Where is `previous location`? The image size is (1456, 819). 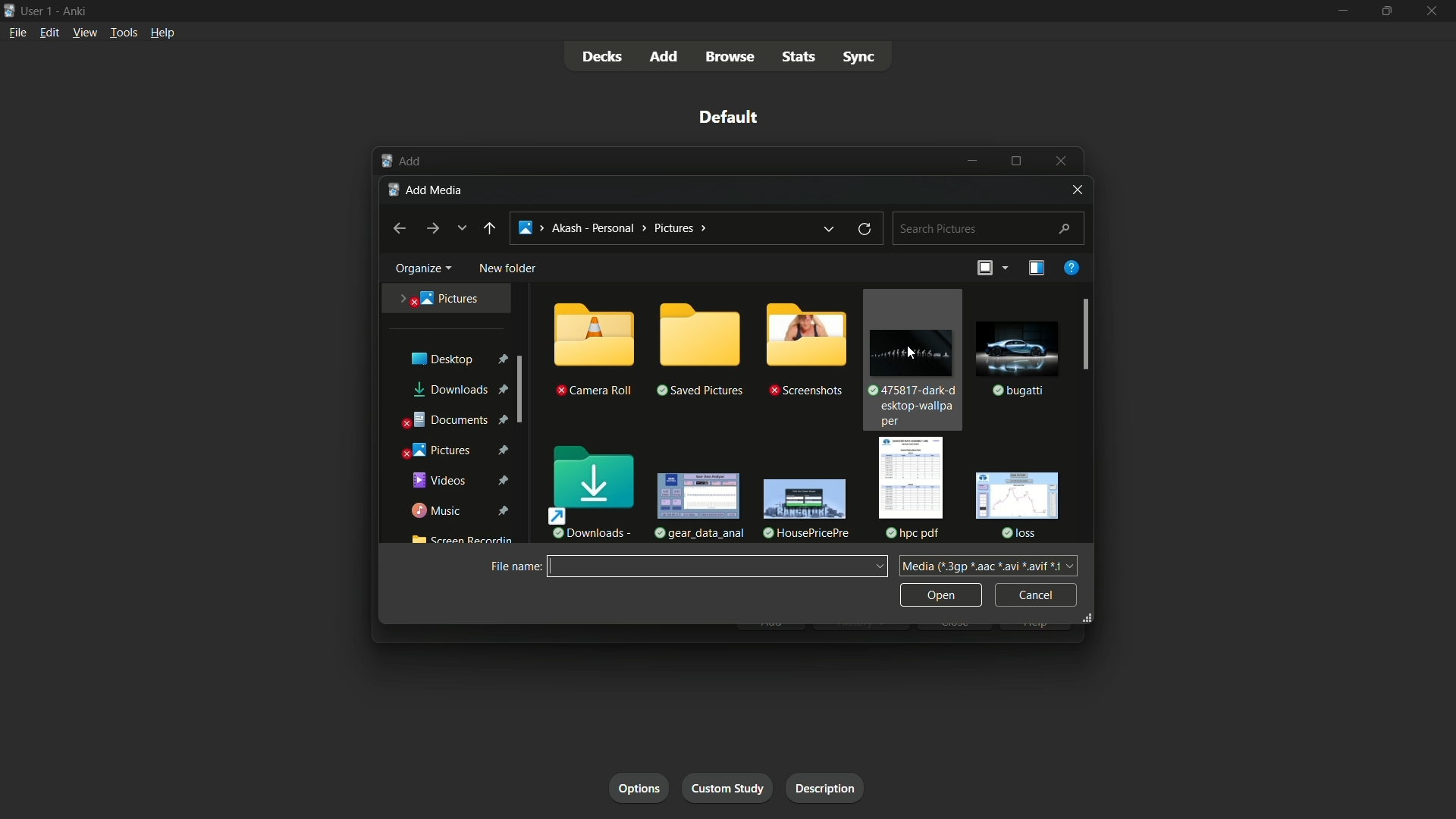
previous location is located at coordinates (830, 227).